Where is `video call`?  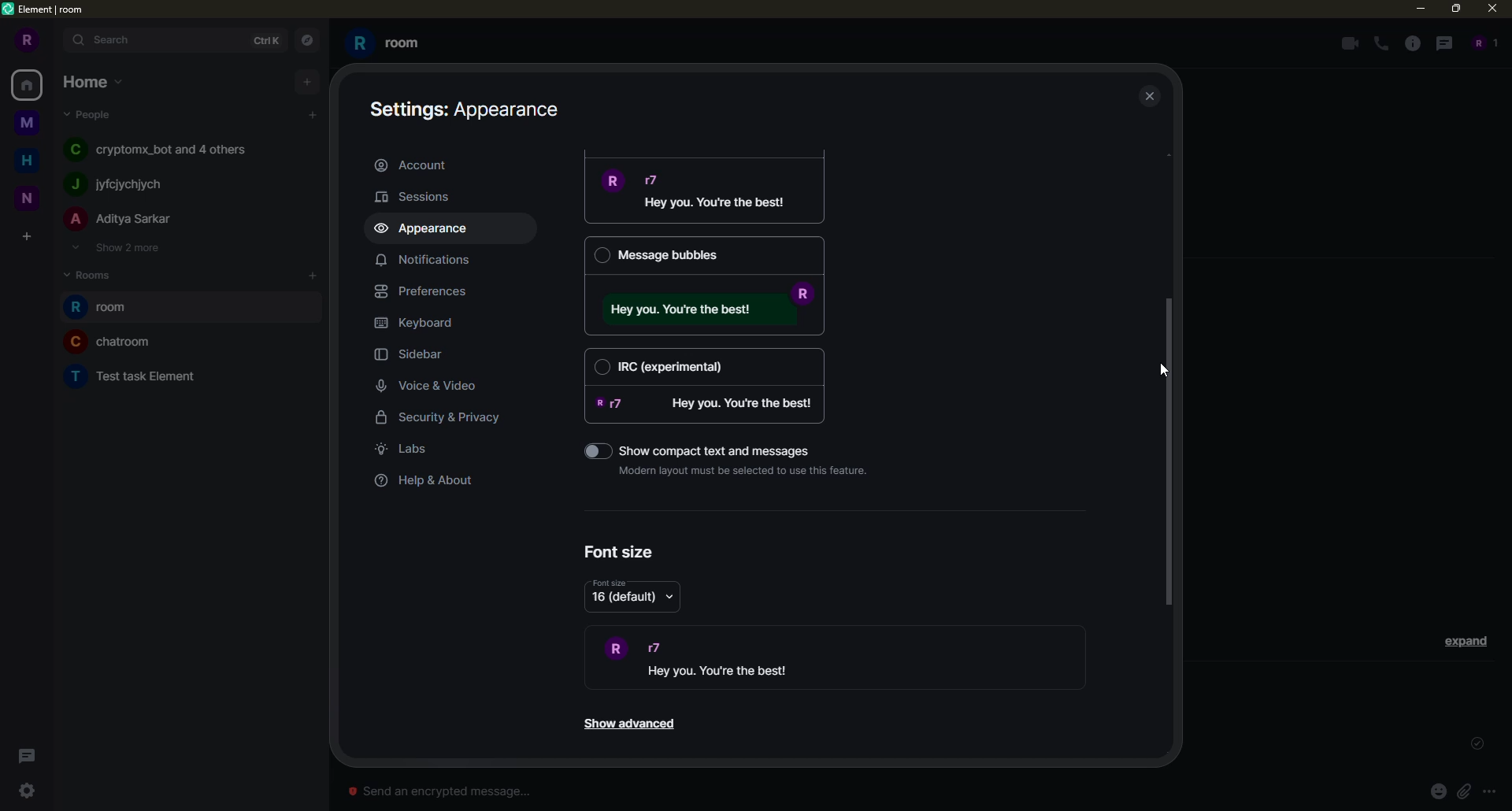 video call is located at coordinates (1347, 43).